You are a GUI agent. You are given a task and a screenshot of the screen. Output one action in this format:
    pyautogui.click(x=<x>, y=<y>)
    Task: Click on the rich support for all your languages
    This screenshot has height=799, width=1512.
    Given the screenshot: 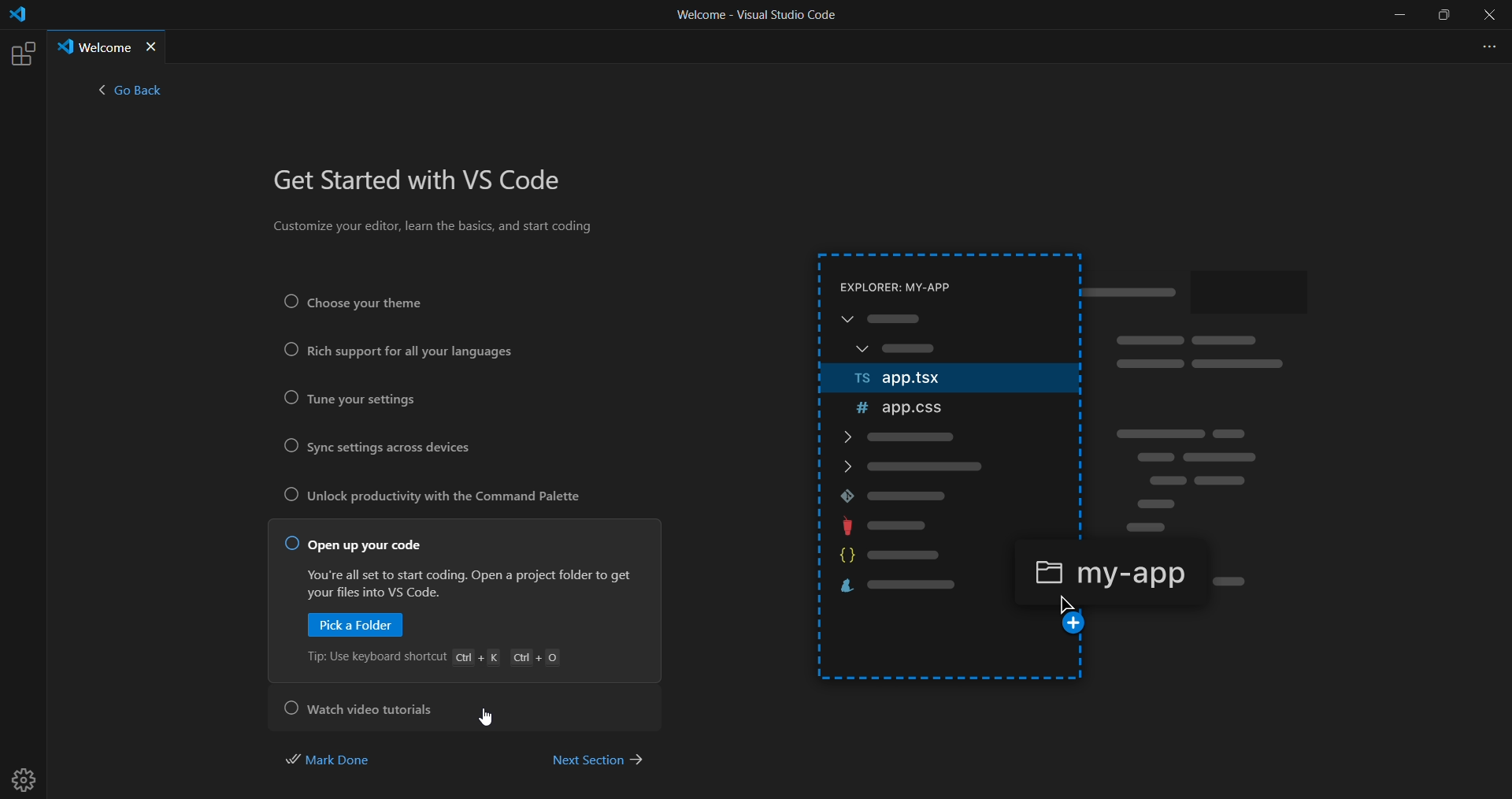 What is the action you would take?
    pyautogui.click(x=397, y=353)
    